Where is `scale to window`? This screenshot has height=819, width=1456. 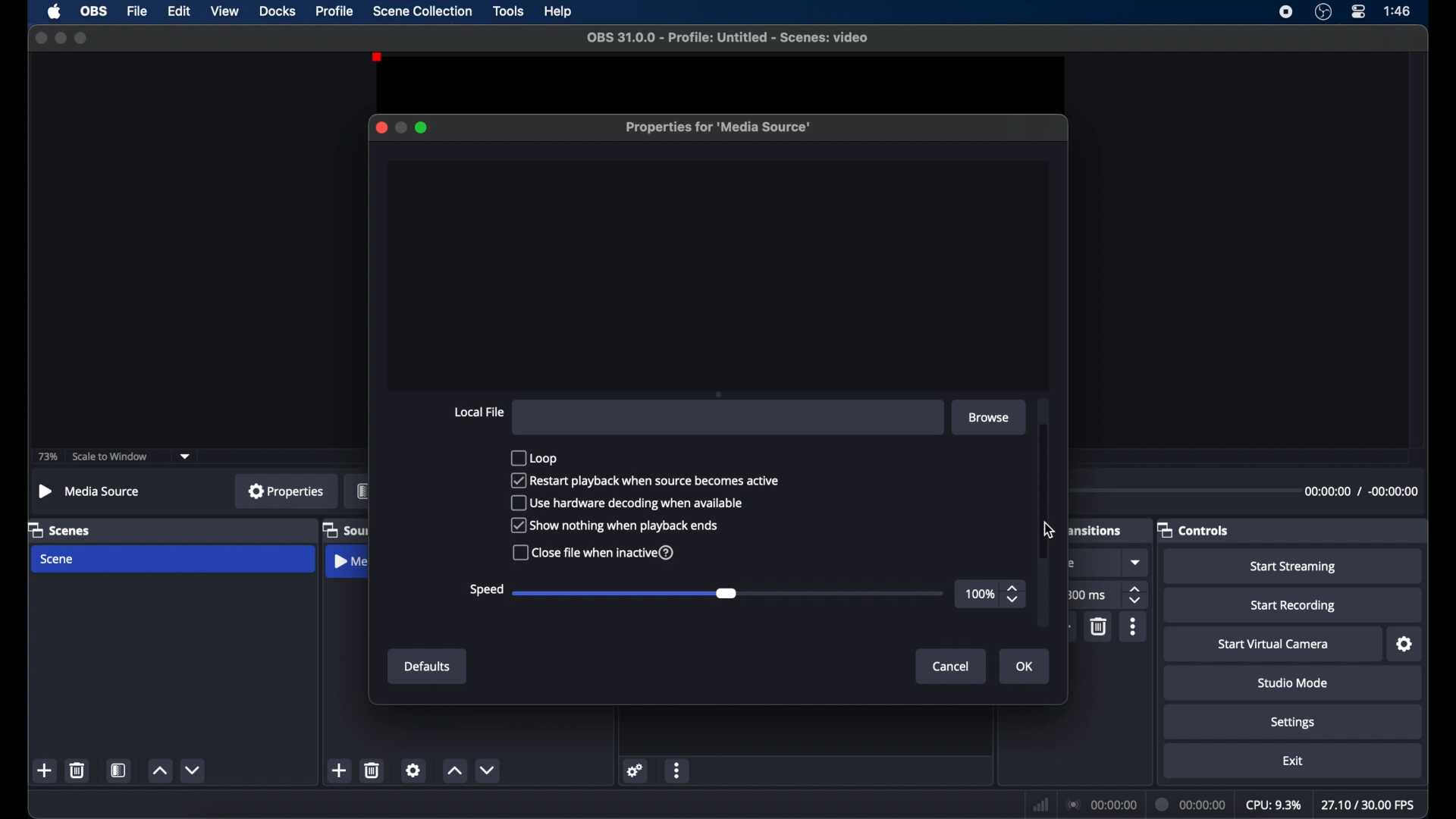 scale to window is located at coordinates (110, 457).